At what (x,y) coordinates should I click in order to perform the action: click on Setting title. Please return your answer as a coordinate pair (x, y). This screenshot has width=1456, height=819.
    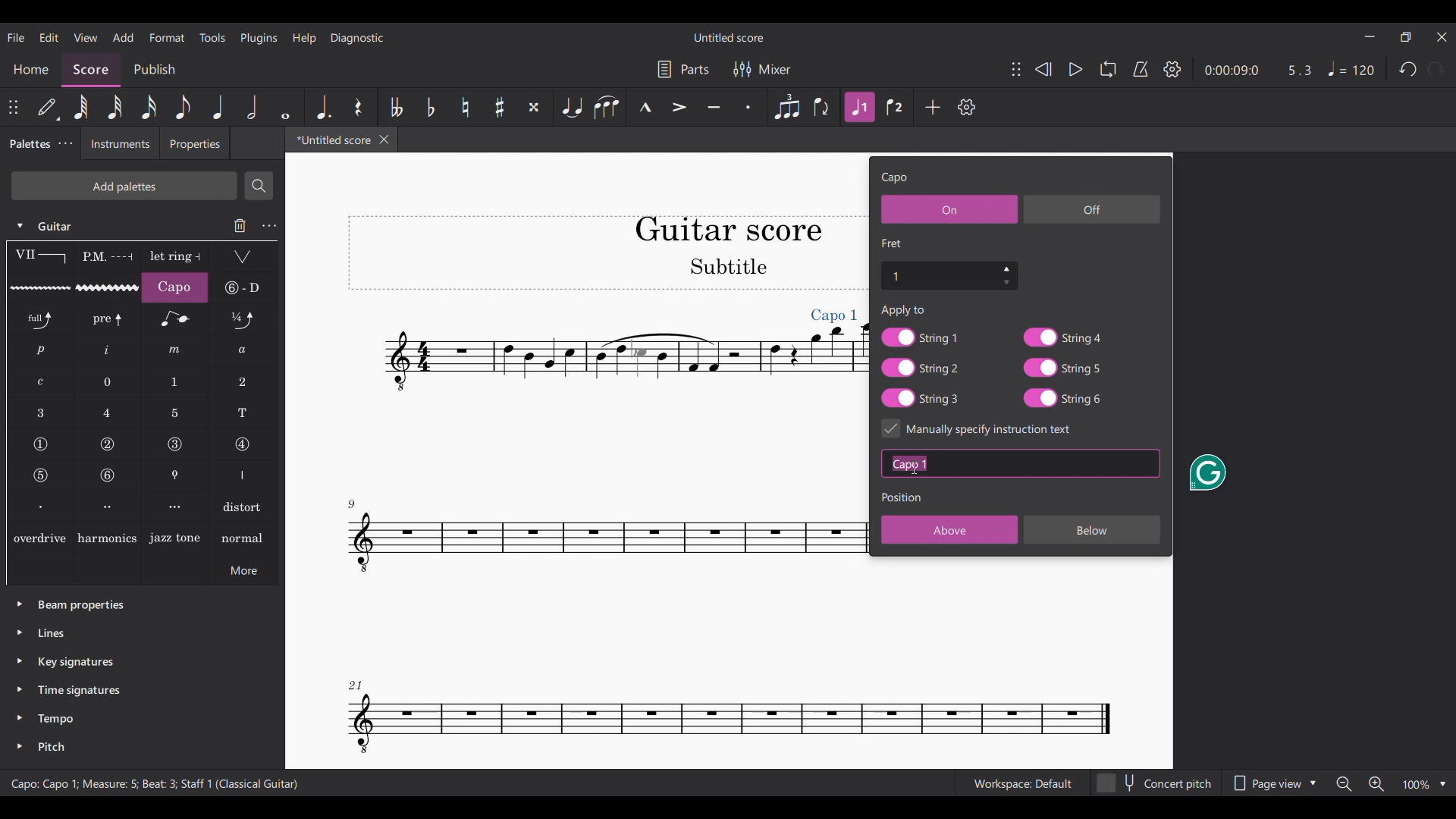
    Looking at the image, I should click on (895, 178).